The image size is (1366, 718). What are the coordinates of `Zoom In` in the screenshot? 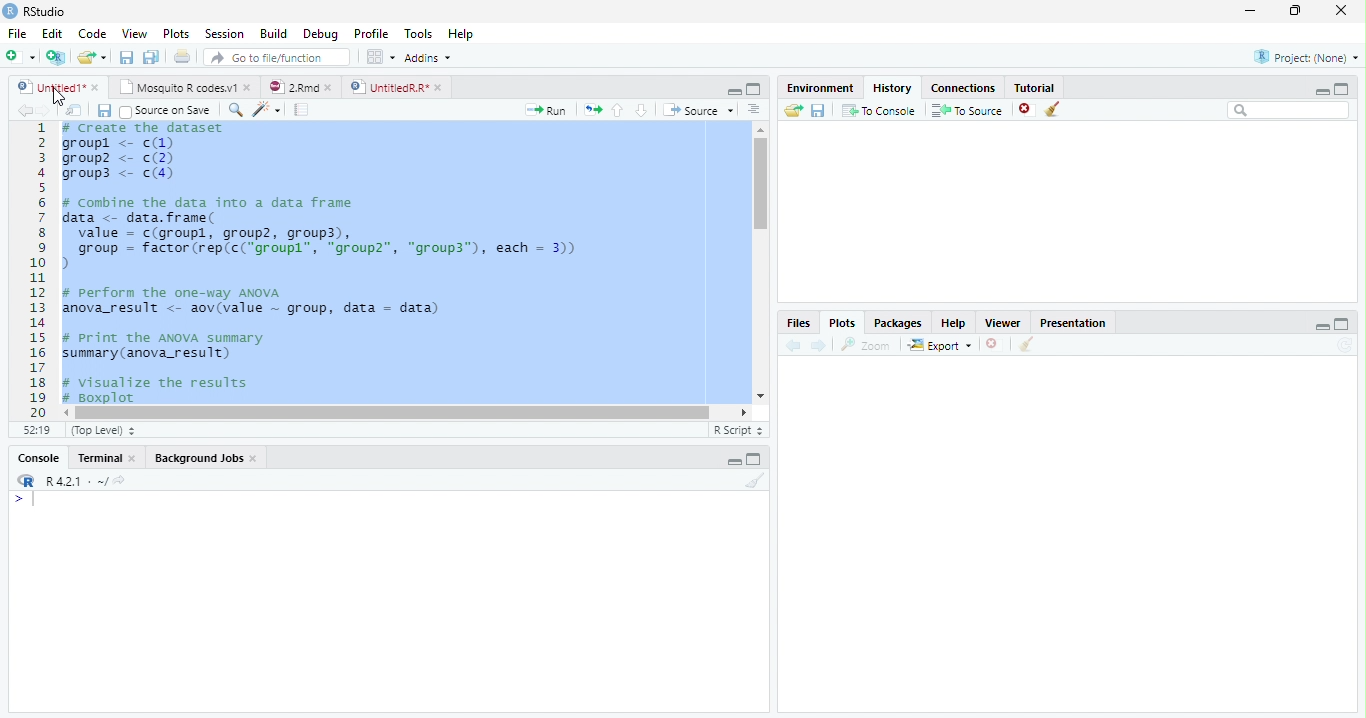 It's located at (234, 111).